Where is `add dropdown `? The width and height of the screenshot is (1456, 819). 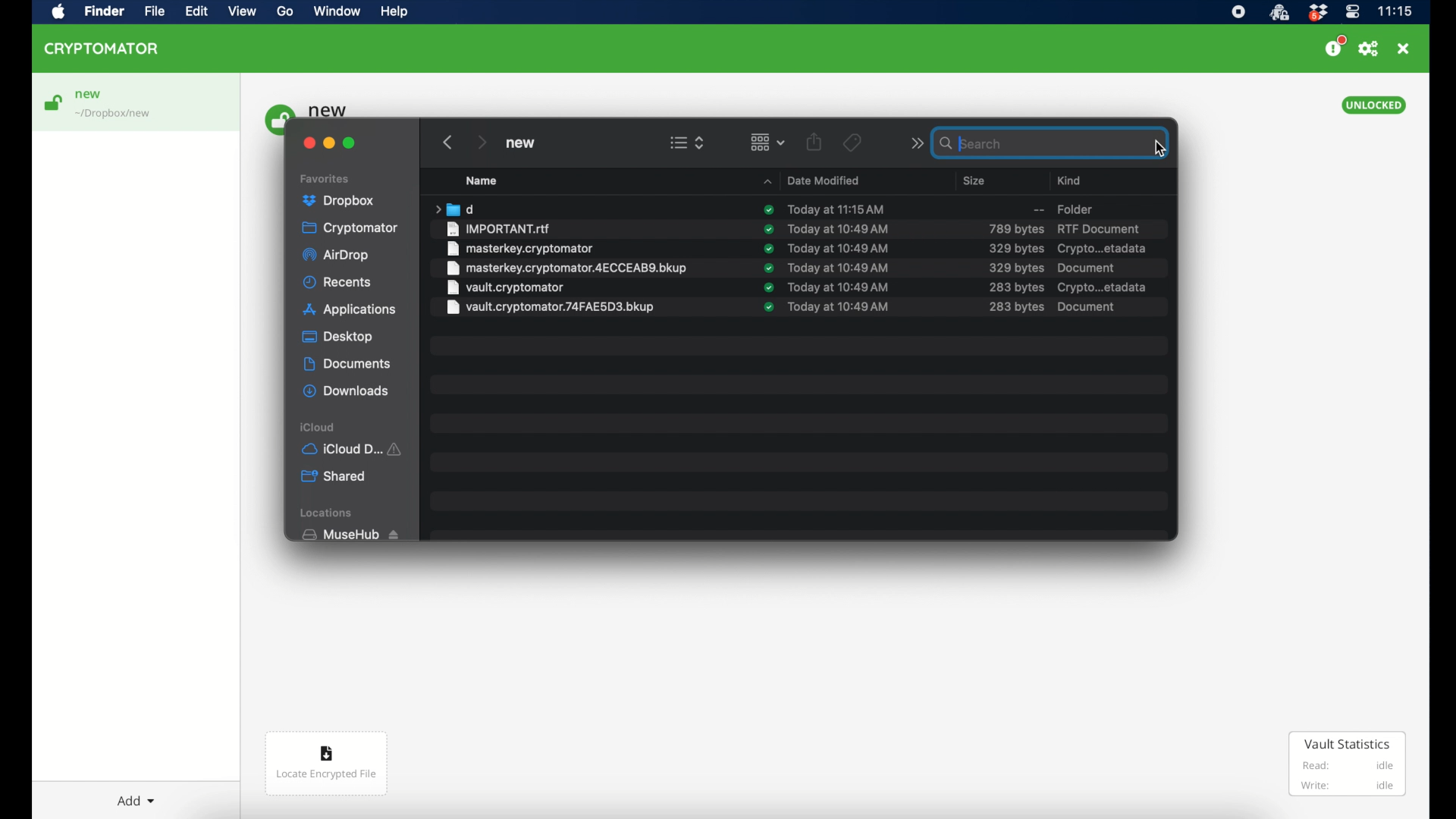
add dropdown  is located at coordinates (136, 801).